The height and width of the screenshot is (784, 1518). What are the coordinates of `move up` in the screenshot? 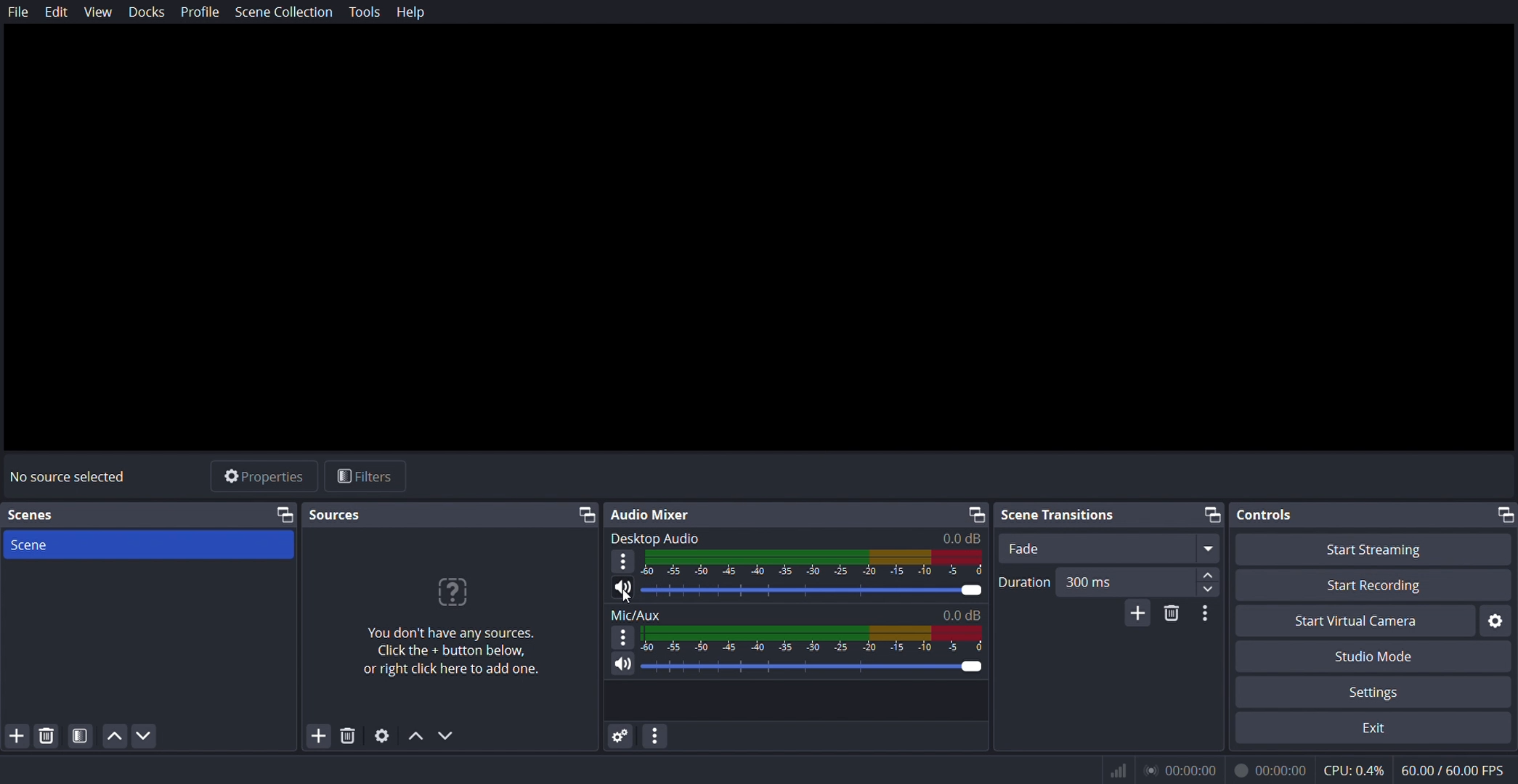 It's located at (416, 735).